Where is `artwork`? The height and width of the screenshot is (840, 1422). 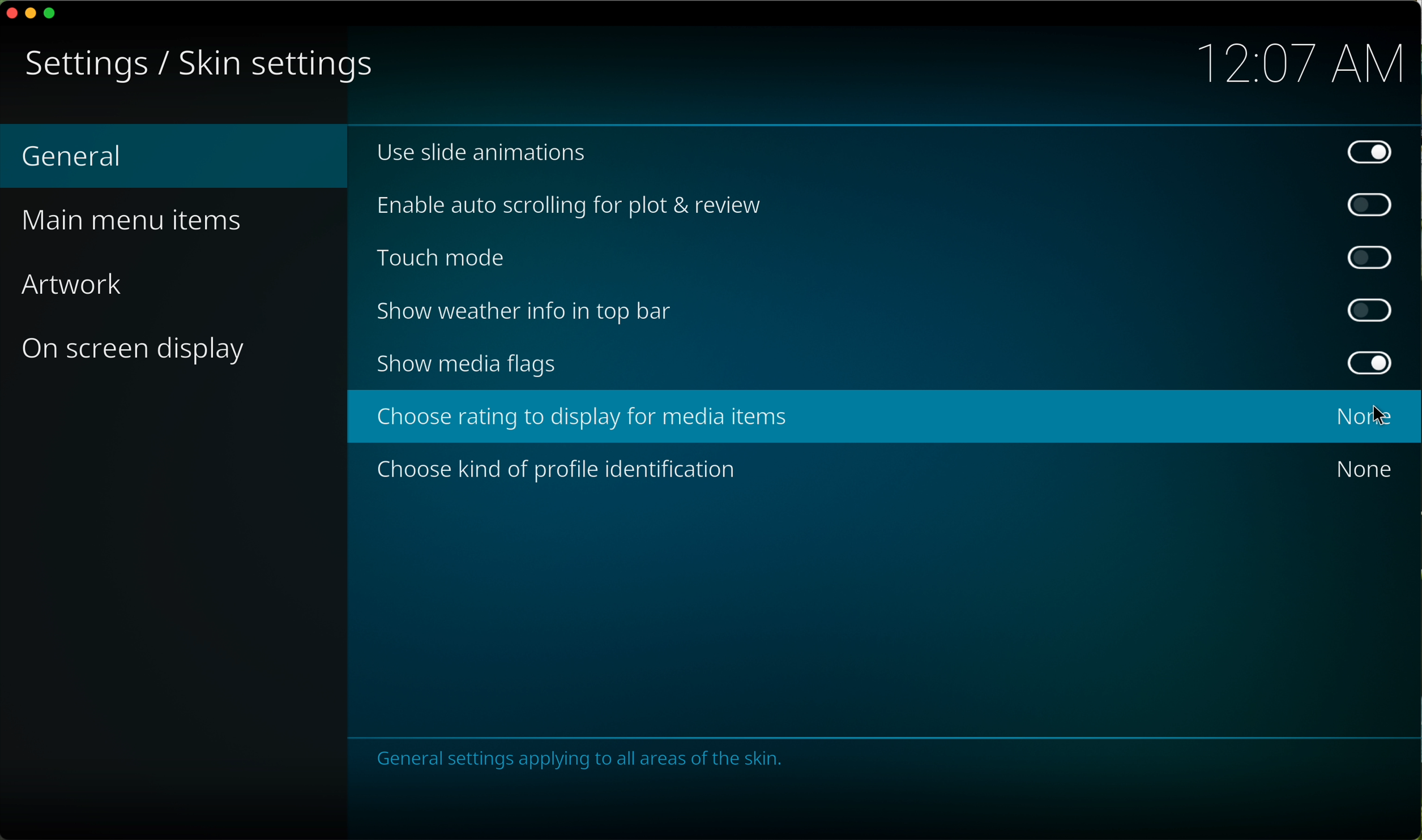 artwork is located at coordinates (74, 288).